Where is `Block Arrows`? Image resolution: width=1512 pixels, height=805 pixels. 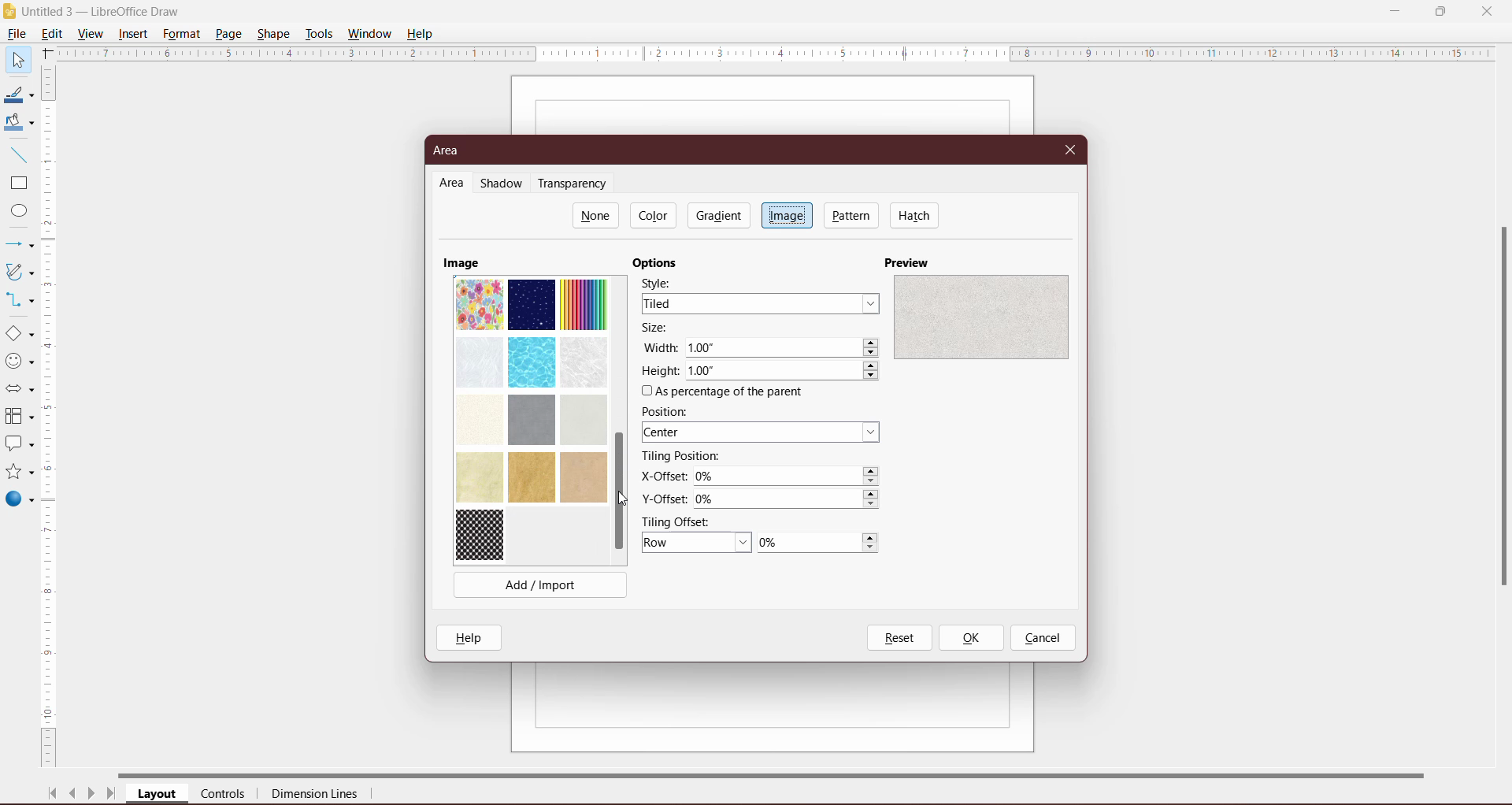 Block Arrows is located at coordinates (18, 391).